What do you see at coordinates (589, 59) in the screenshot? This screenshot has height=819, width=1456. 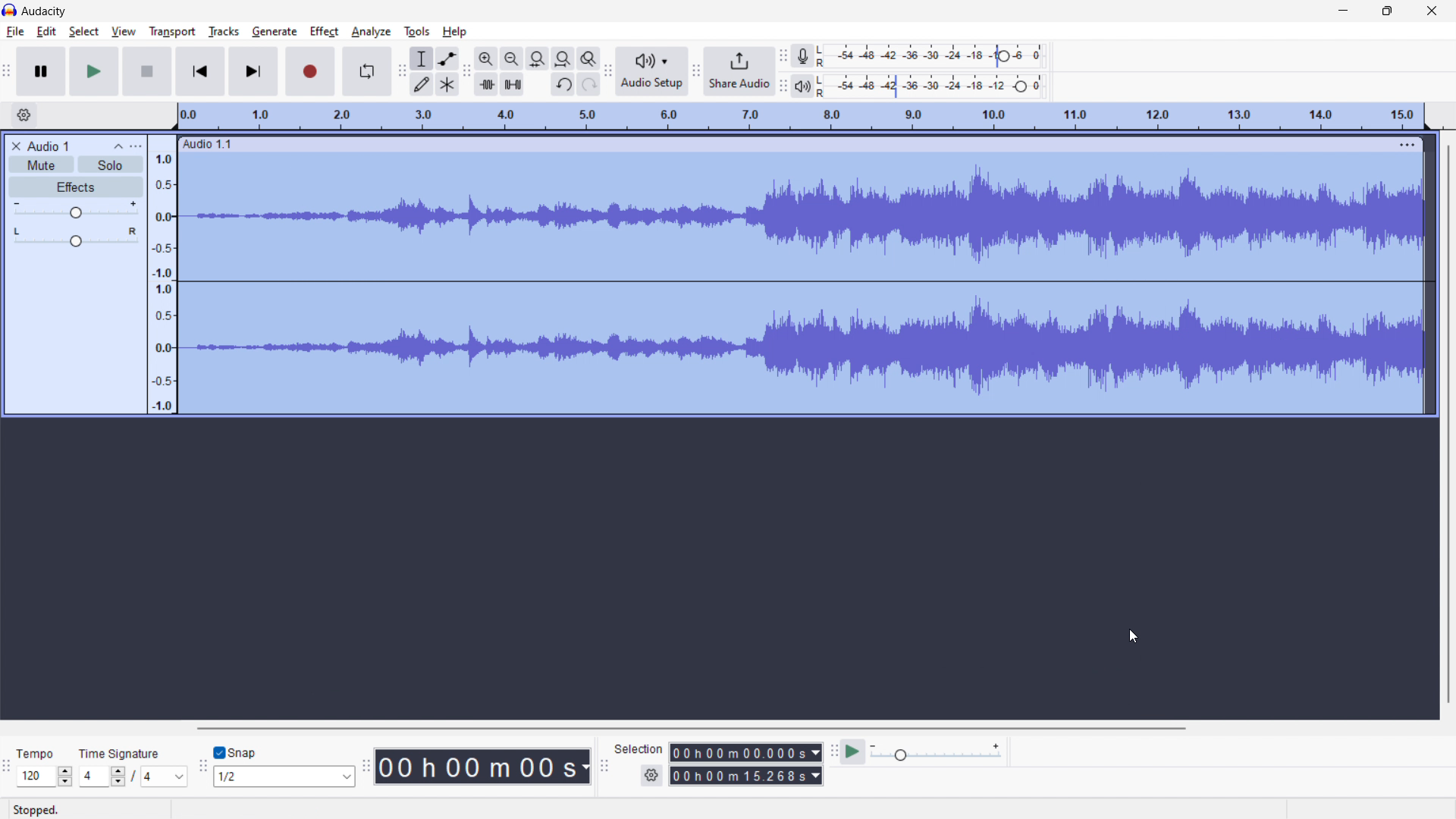 I see `toggle zoom` at bounding box center [589, 59].